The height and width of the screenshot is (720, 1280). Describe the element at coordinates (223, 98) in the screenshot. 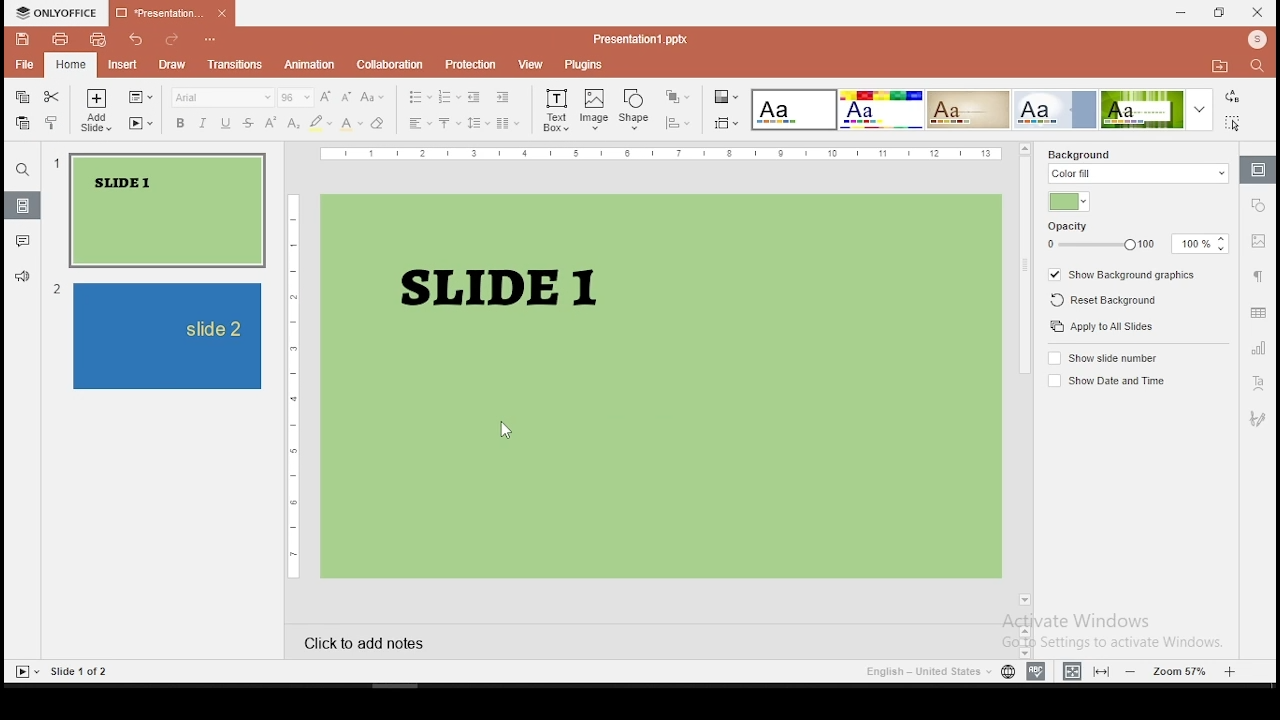

I see `font` at that location.